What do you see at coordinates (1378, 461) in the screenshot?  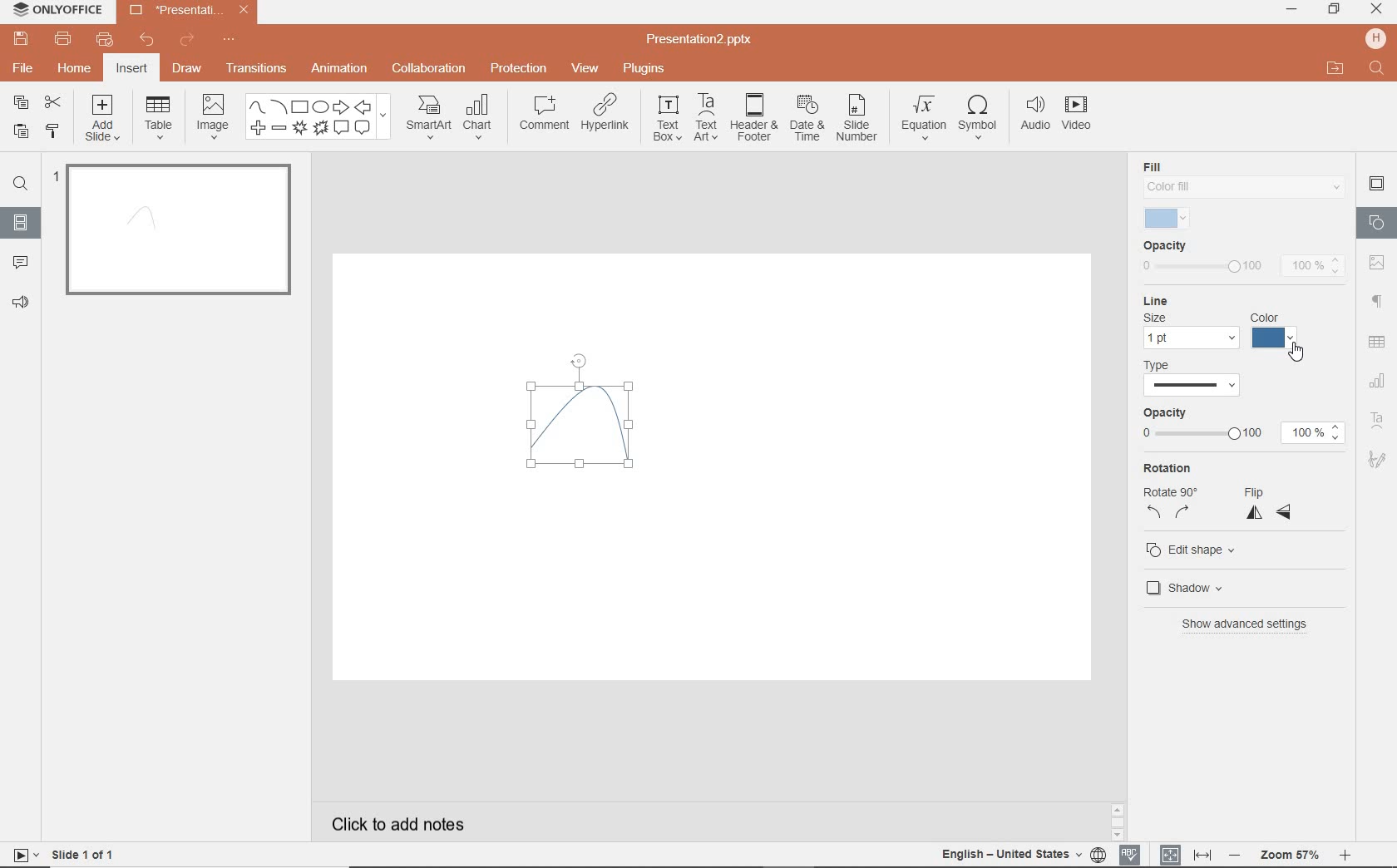 I see `SIGNATURE` at bounding box center [1378, 461].